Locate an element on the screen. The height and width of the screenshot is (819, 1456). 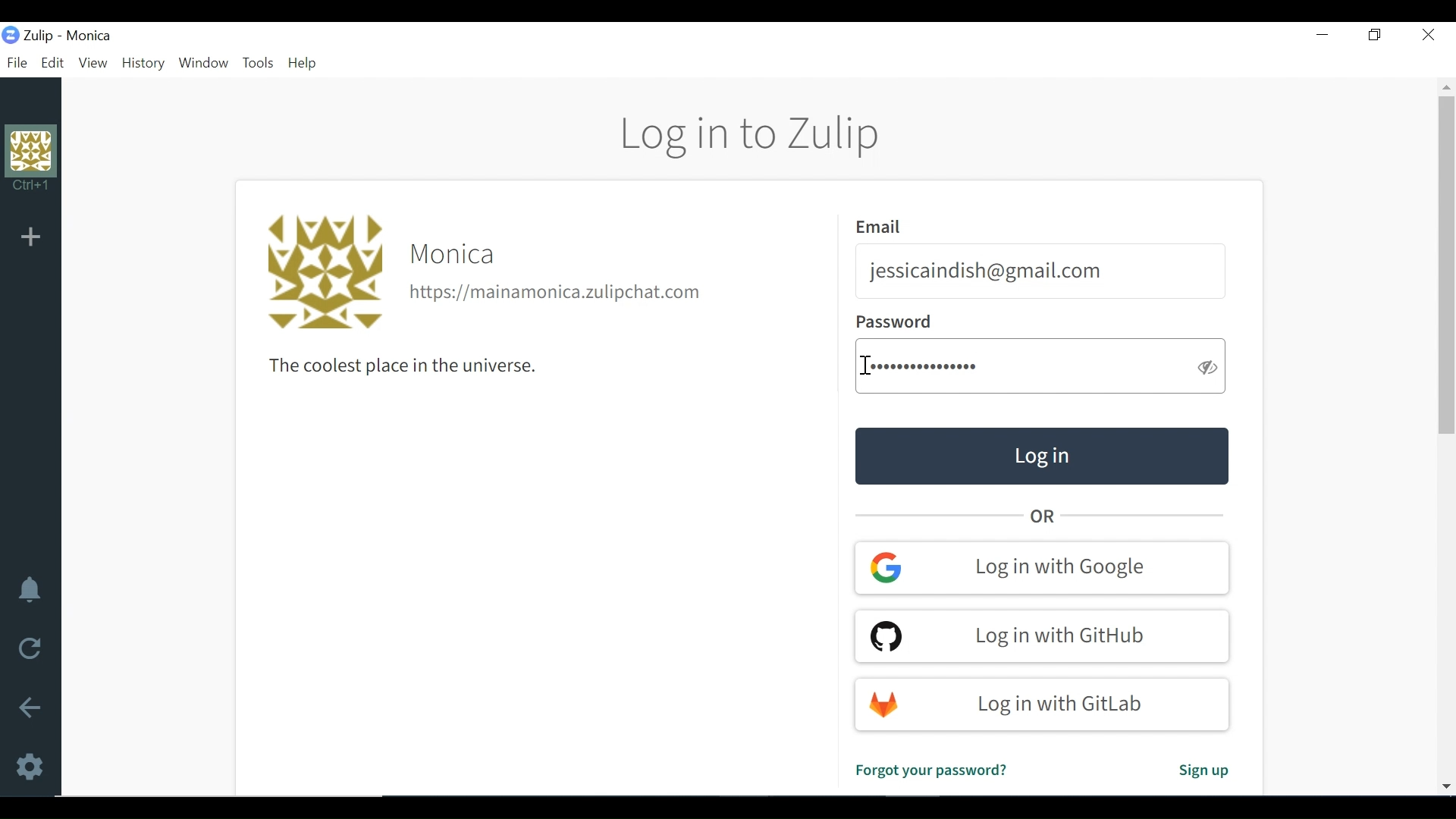
History is located at coordinates (145, 64).